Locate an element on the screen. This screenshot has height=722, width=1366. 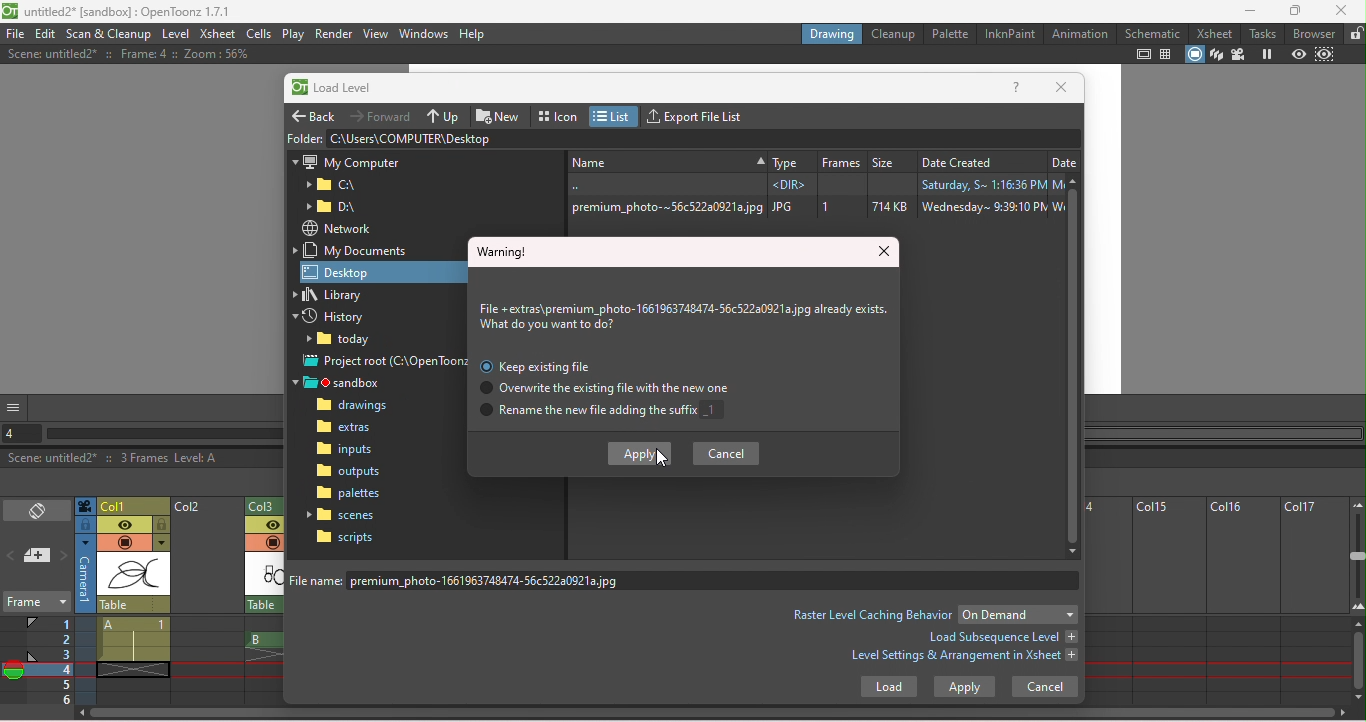
Date created is located at coordinates (980, 159).